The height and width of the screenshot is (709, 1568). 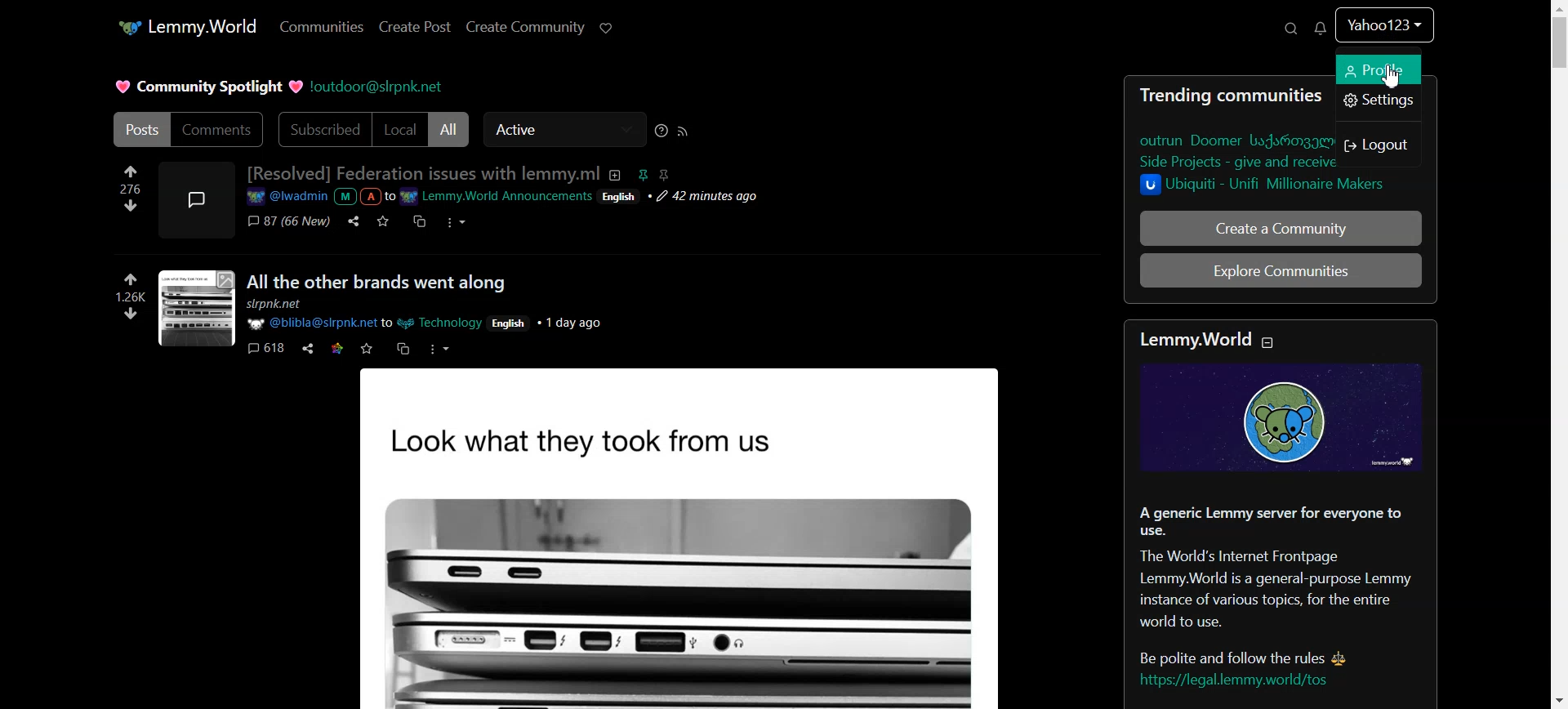 What do you see at coordinates (131, 172) in the screenshot?
I see `upvote` at bounding box center [131, 172].